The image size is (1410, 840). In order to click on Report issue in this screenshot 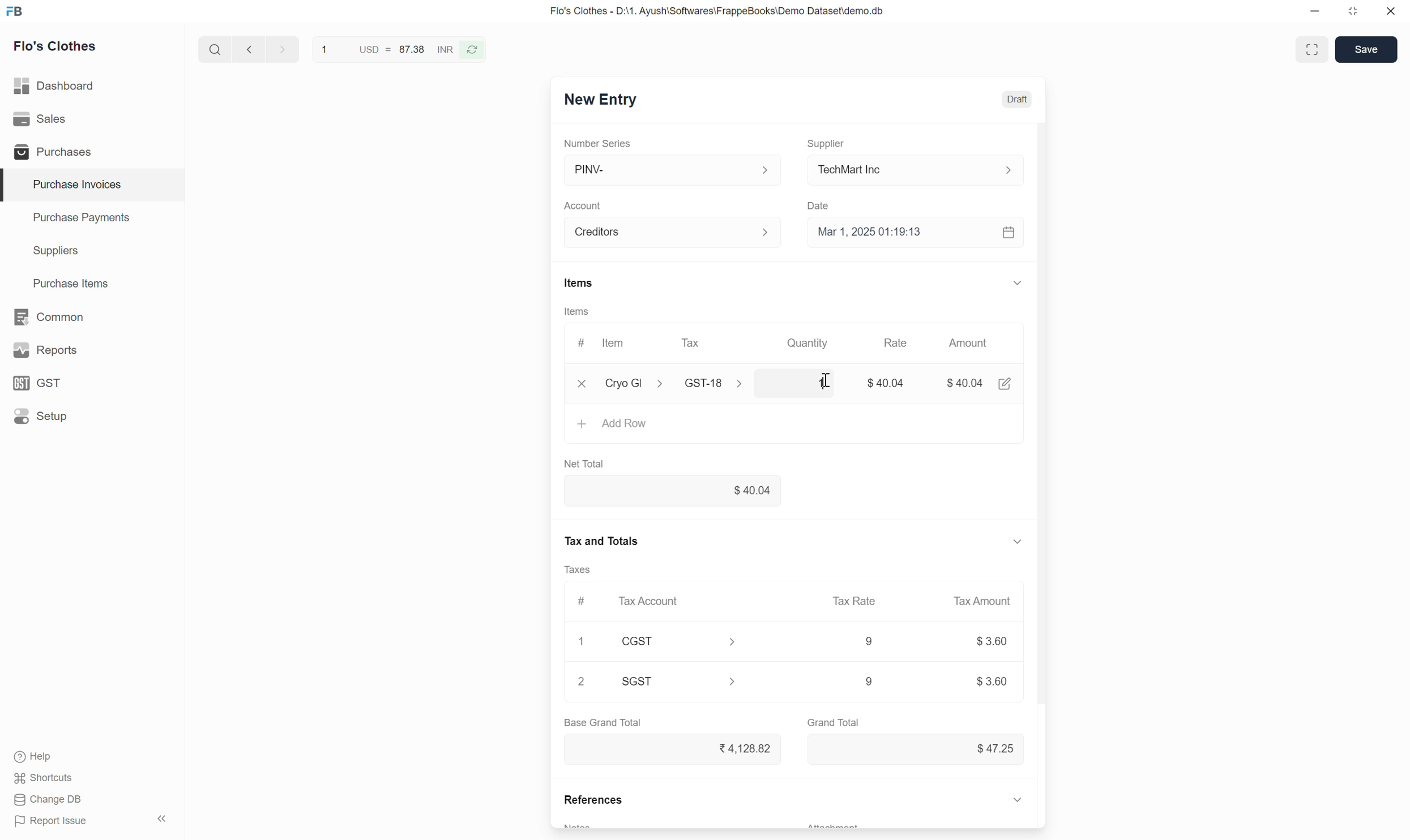, I will do `click(55, 823)`.